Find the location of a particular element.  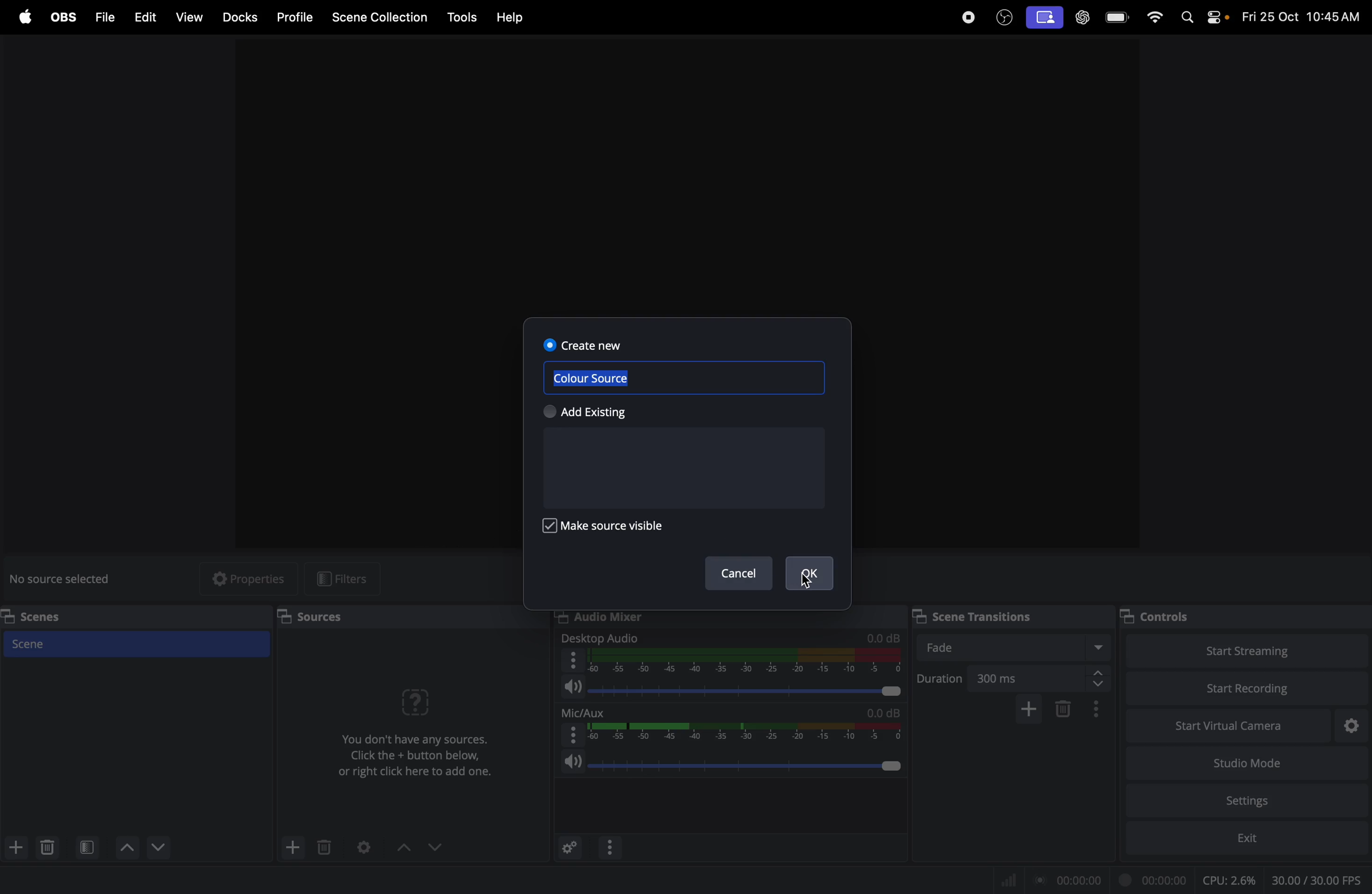

Scene is located at coordinates (140, 642).